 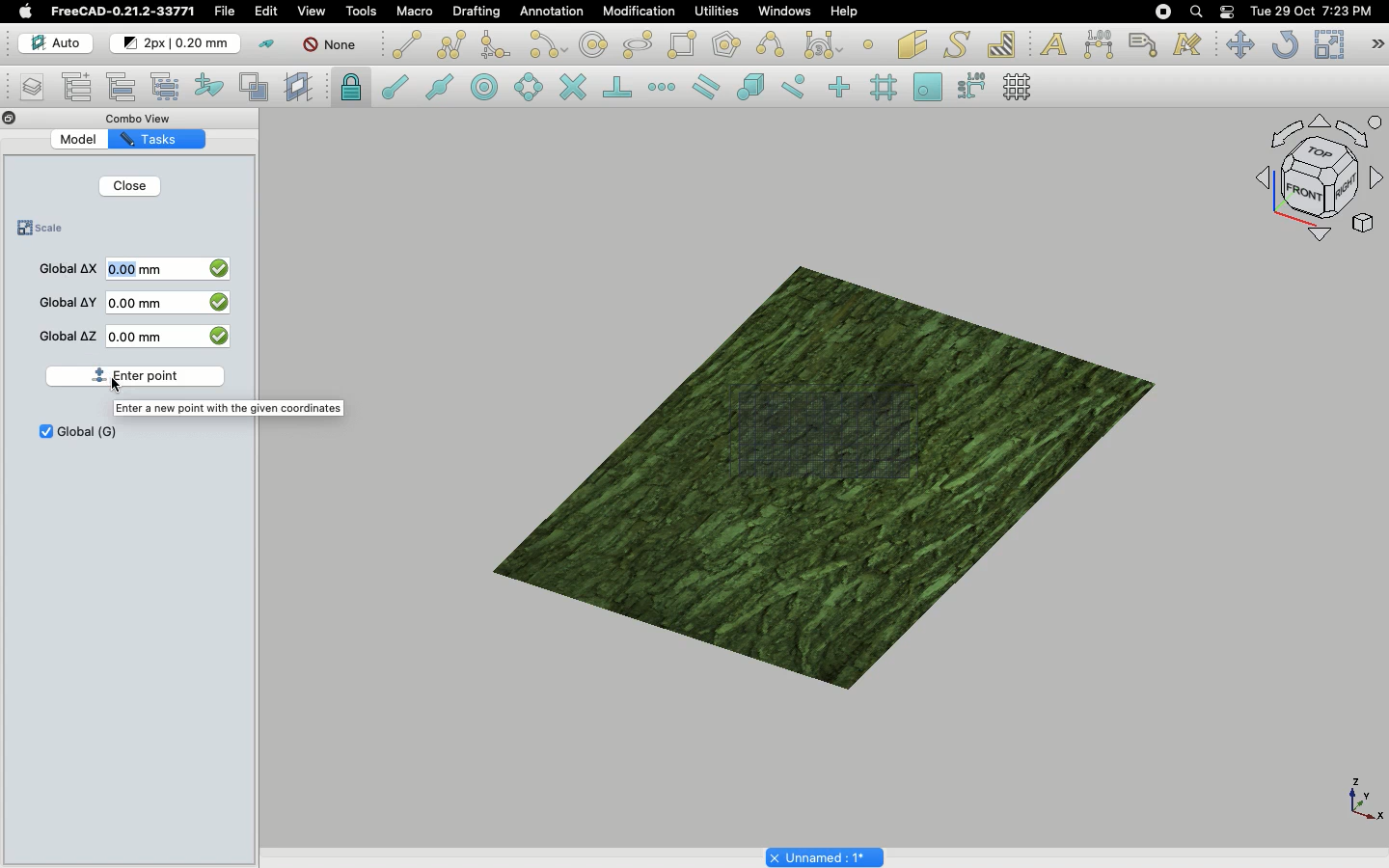 I want to click on Add new named group, so click(x=78, y=86).